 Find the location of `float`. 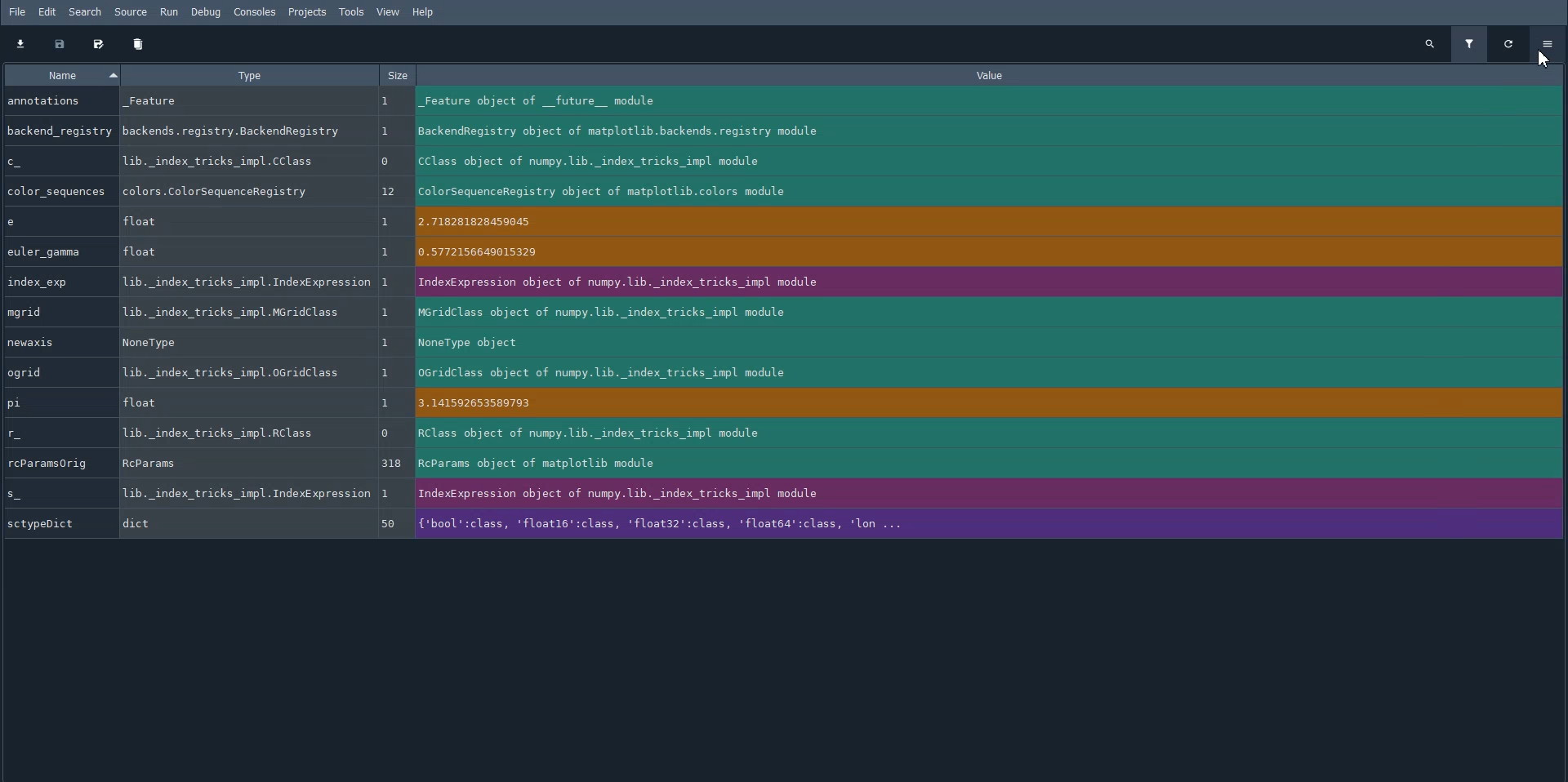

float is located at coordinates (236, 251).